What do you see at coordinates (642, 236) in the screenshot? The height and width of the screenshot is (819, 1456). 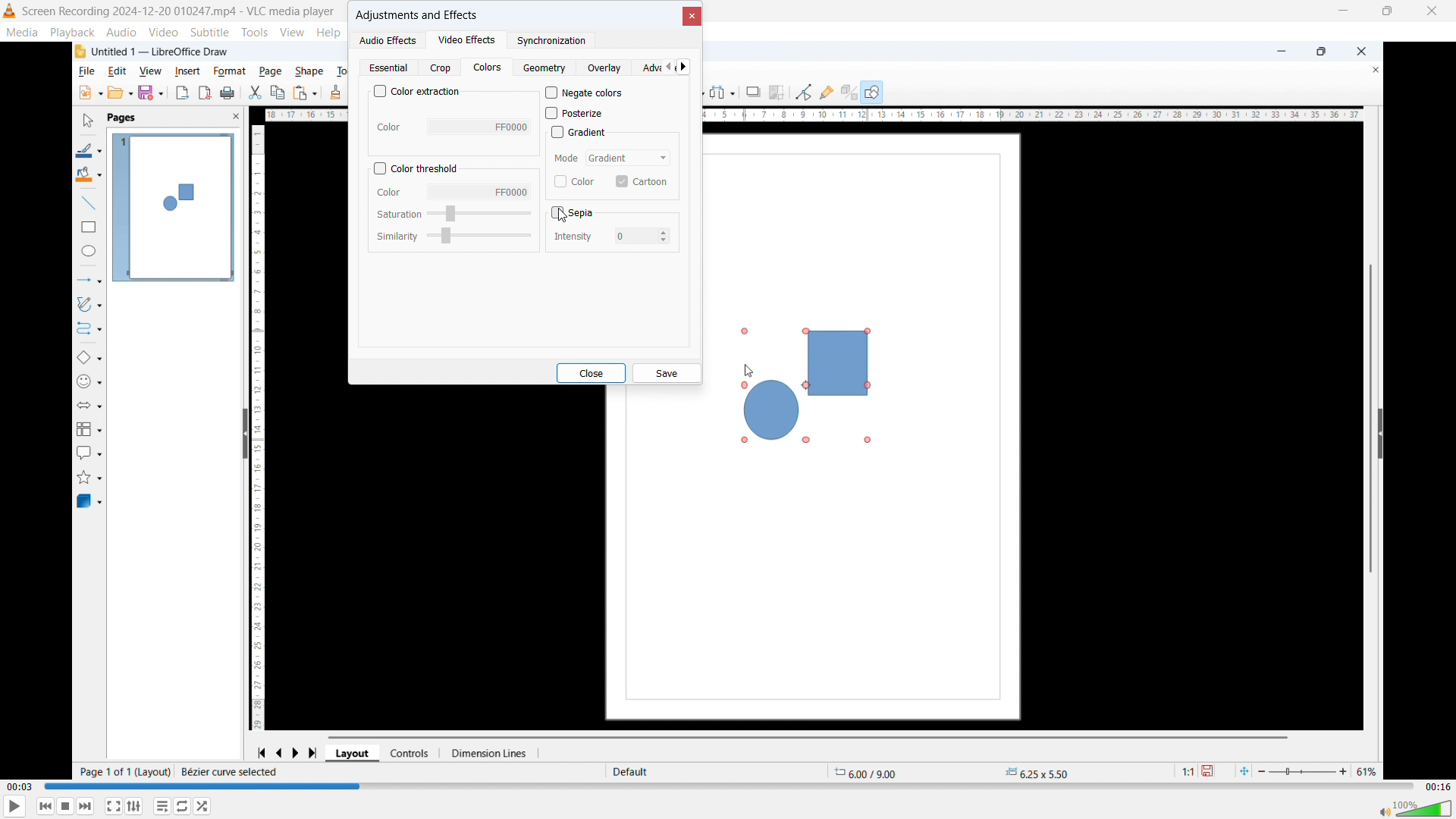 I see `Set intensity ` at bounding box center [642, 236].